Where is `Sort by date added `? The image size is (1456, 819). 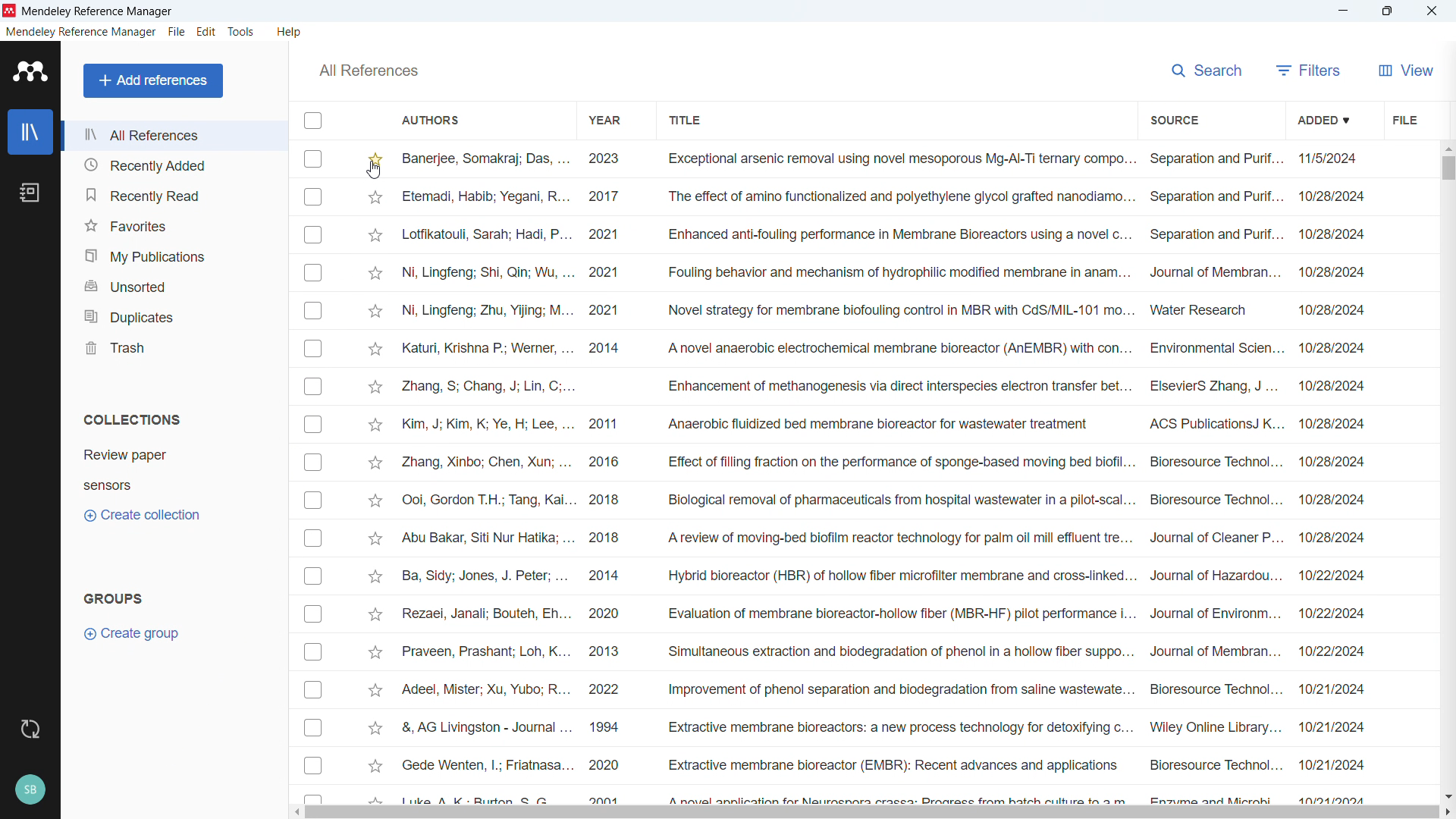
Sort by date added  is located at coordinates (1324, 118).